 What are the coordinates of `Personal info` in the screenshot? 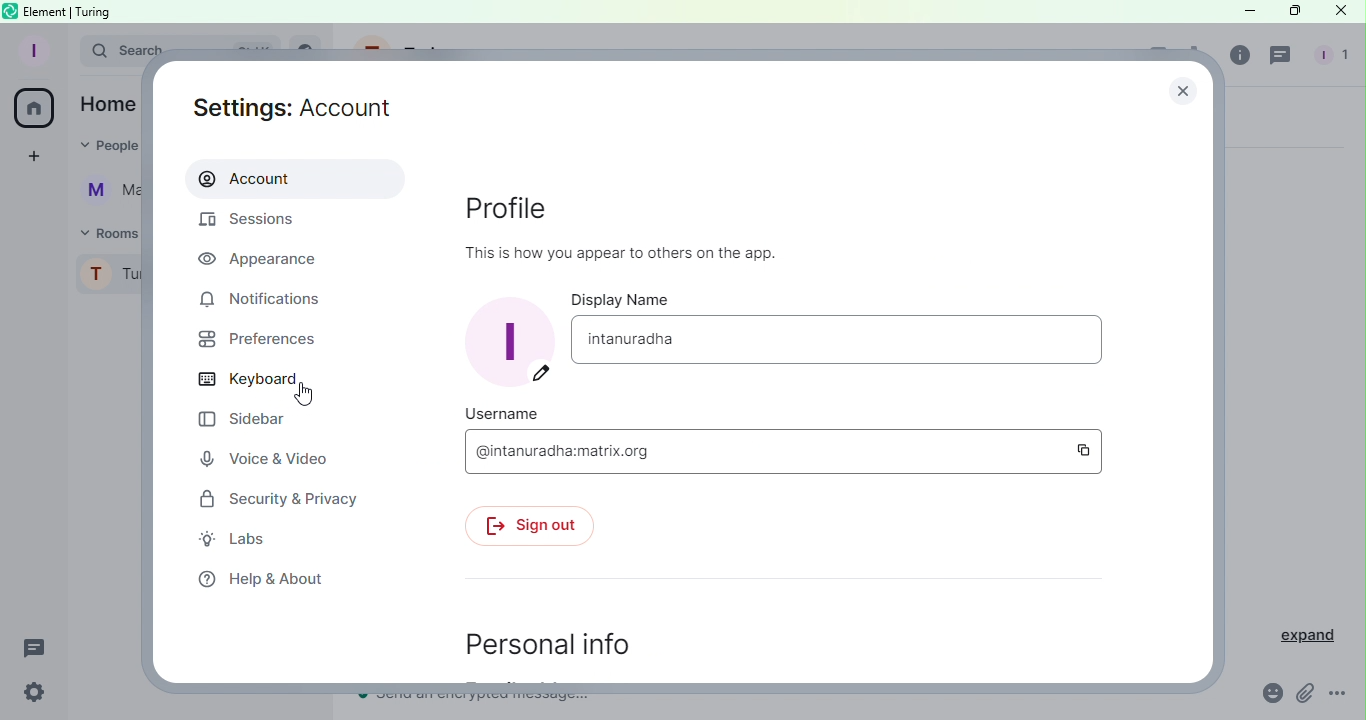 It's located at (559, 642).